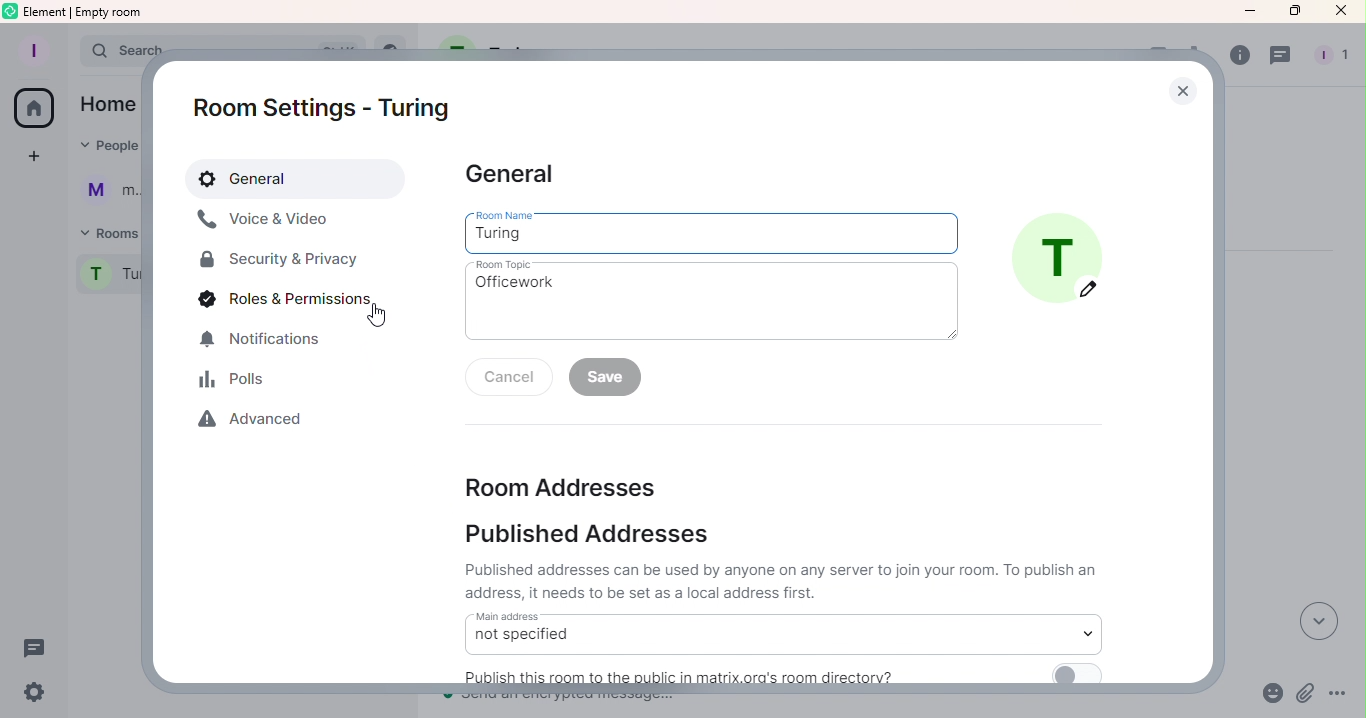 The height and width of the screenshot is (718, 1366). What do you see at coordinates (255, 423) in the screenshot?
I see `Advanced` at bounding box center [255, 423].